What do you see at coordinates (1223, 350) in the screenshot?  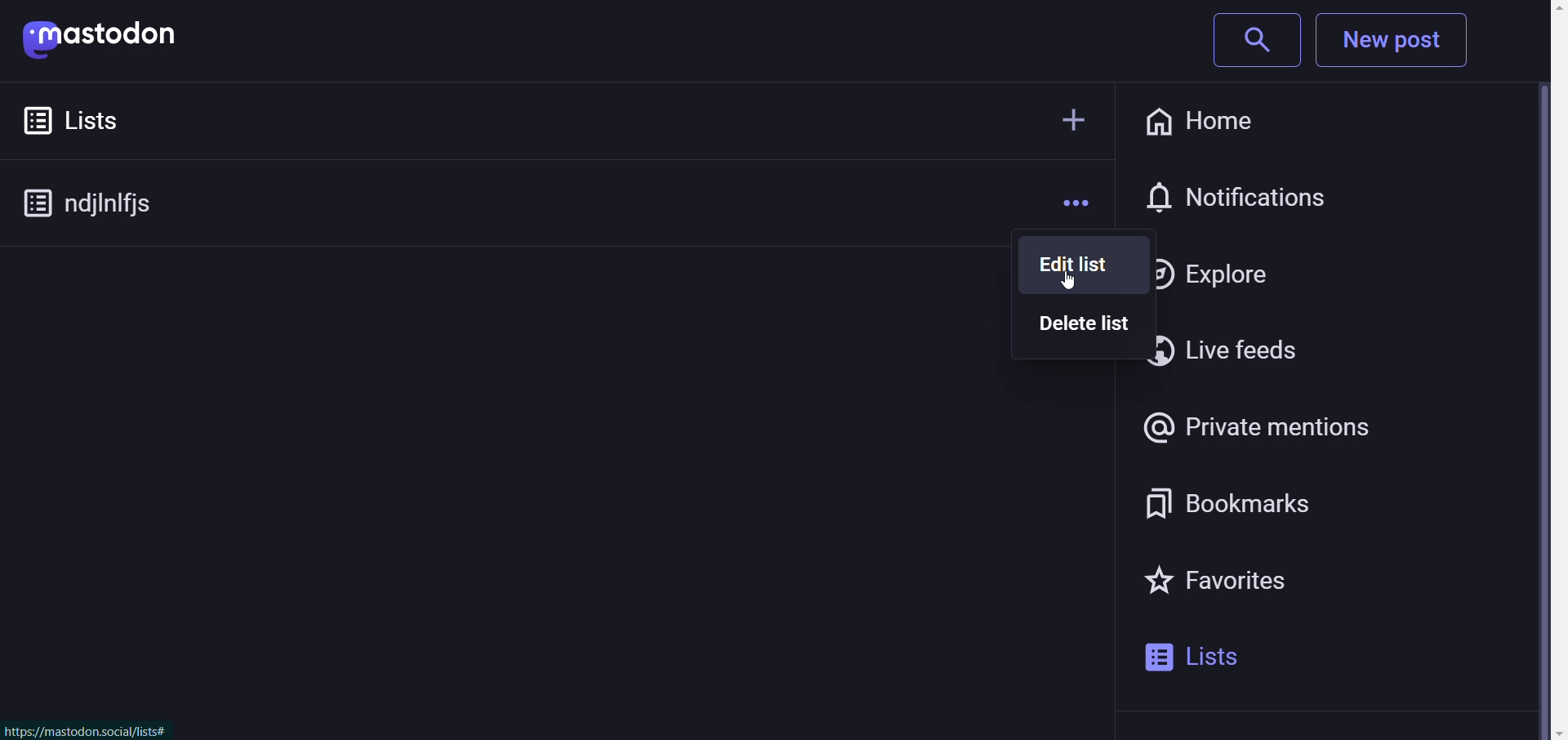 I see `live feeds` at bounding box center [1223, 350].